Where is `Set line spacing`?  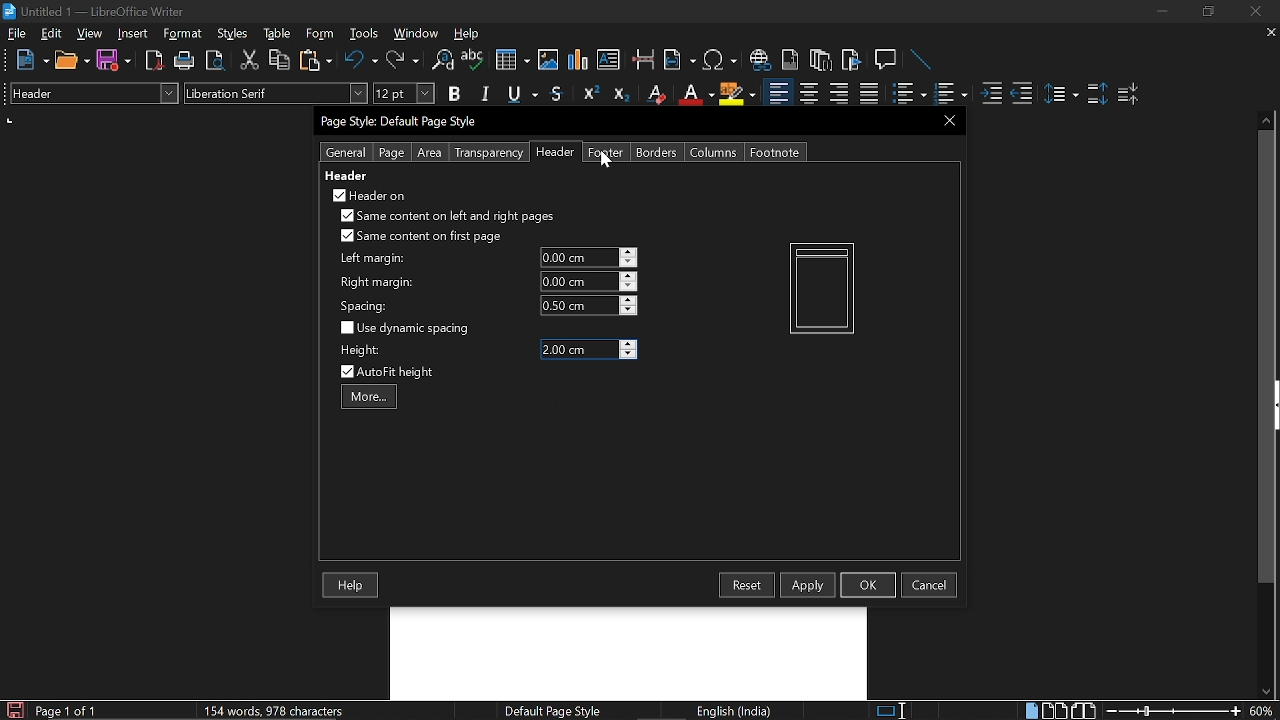 Set line spacing is located at coordinates (1060, 94).